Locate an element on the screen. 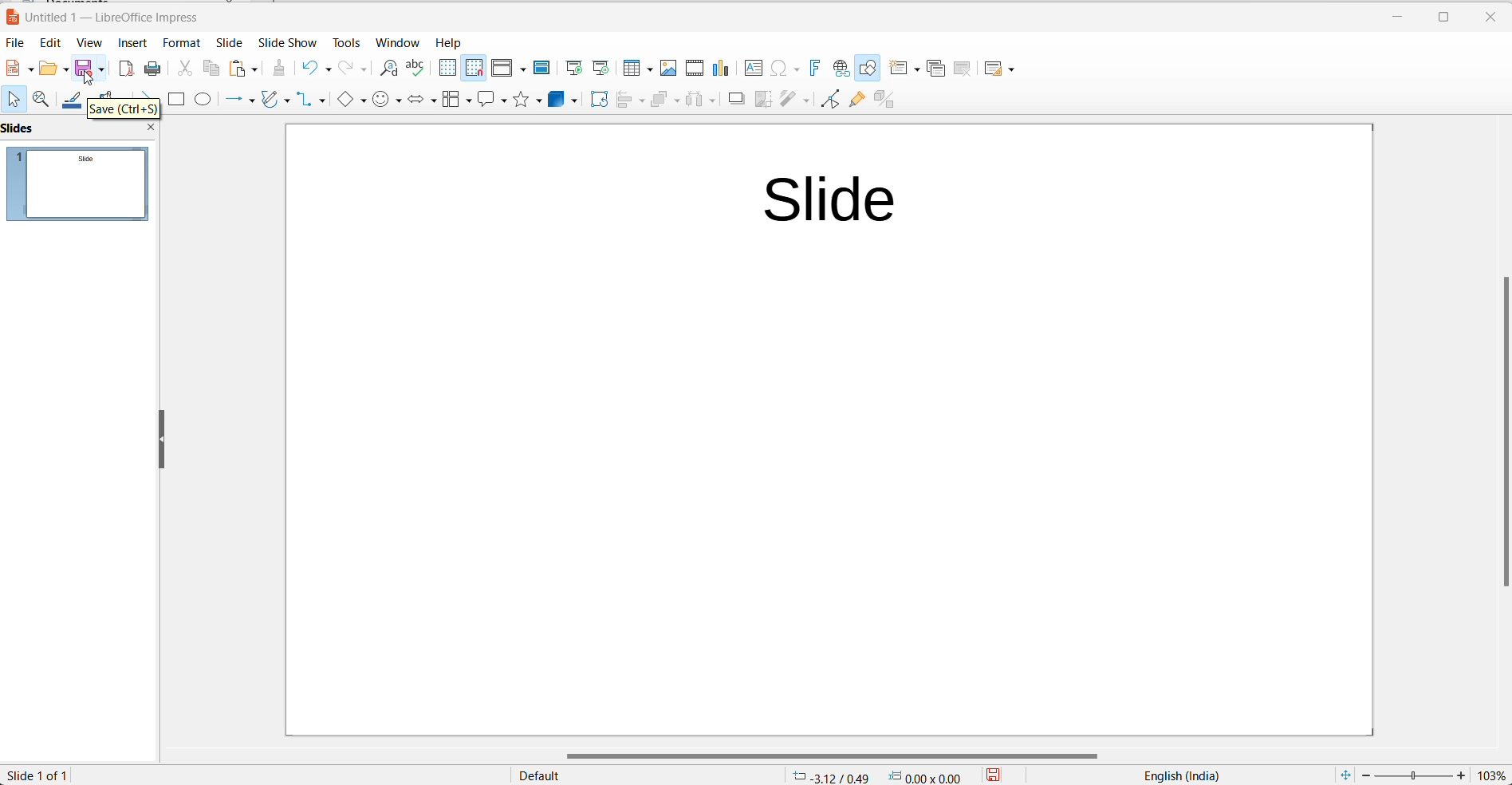  line colour is located at coordinates (74, 103).